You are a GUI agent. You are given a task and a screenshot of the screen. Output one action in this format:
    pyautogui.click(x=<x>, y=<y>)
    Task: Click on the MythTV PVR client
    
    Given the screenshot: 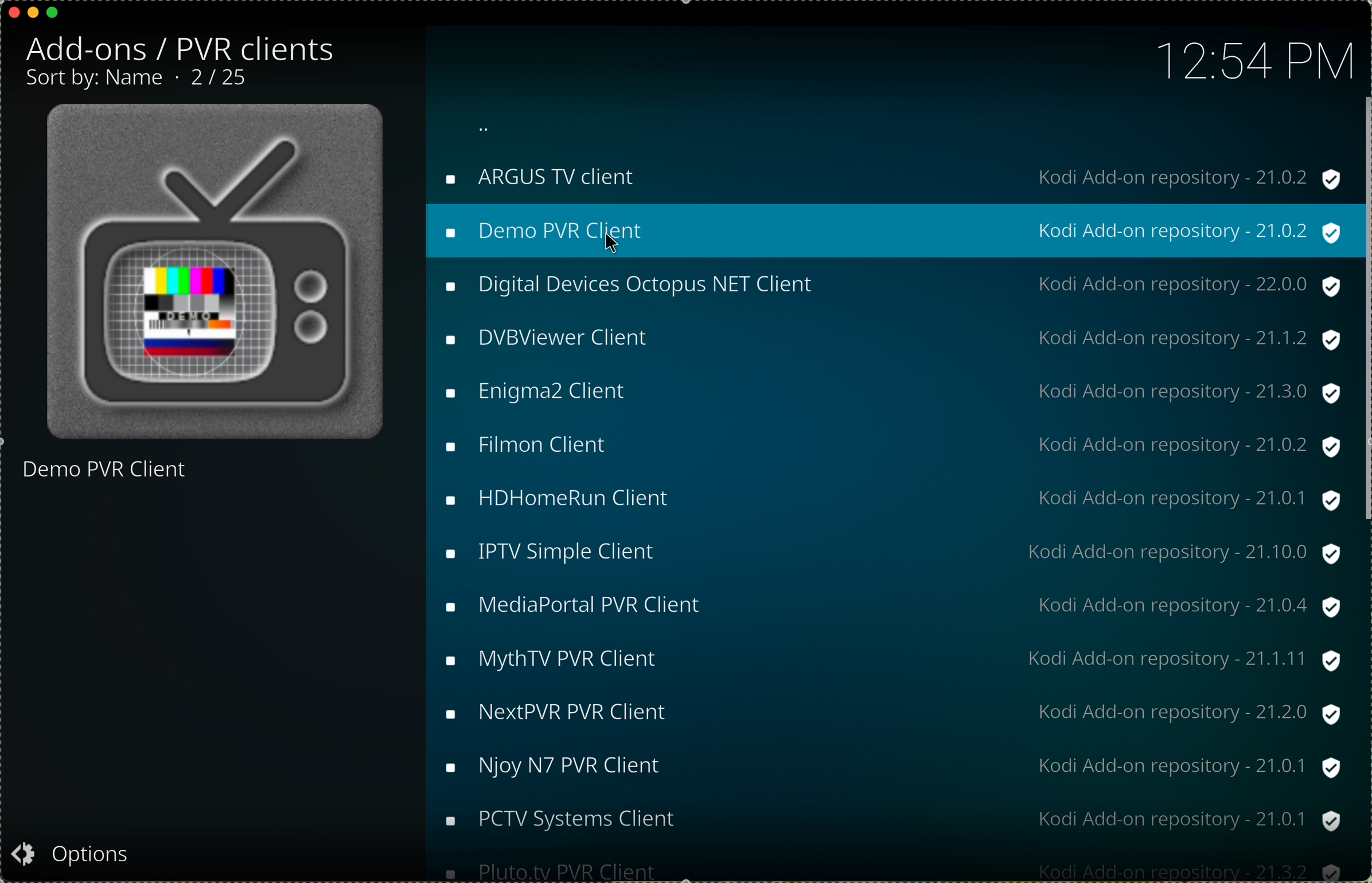 What is the action you would take?
    pyautogui.click(x=571, y=661)
    